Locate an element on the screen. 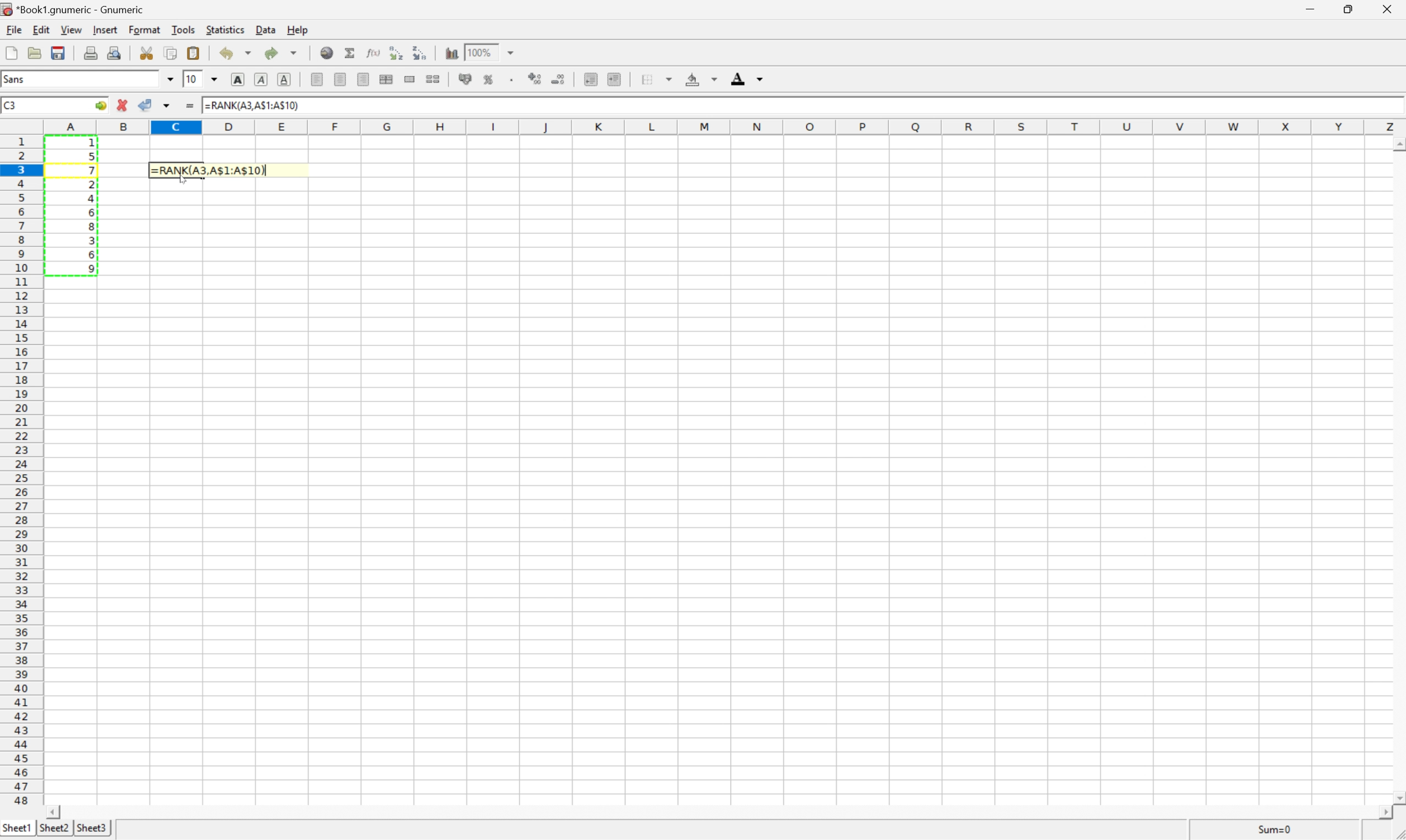 Image resolution: width=1406 pixels, height=840 pixels. format selection as accounting is located at coordinates (466, 78).